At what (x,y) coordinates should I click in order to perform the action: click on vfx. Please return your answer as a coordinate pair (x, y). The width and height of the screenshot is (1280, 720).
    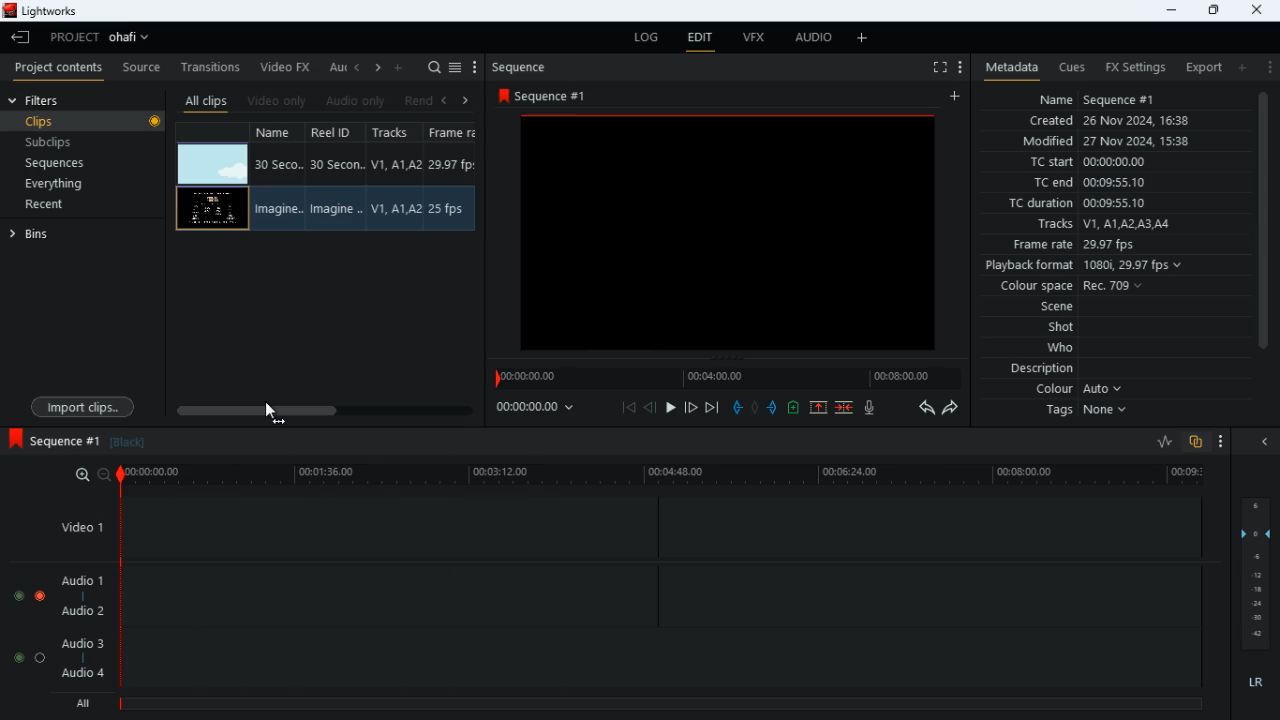
    Looking at the image, I should click on (750, 38).